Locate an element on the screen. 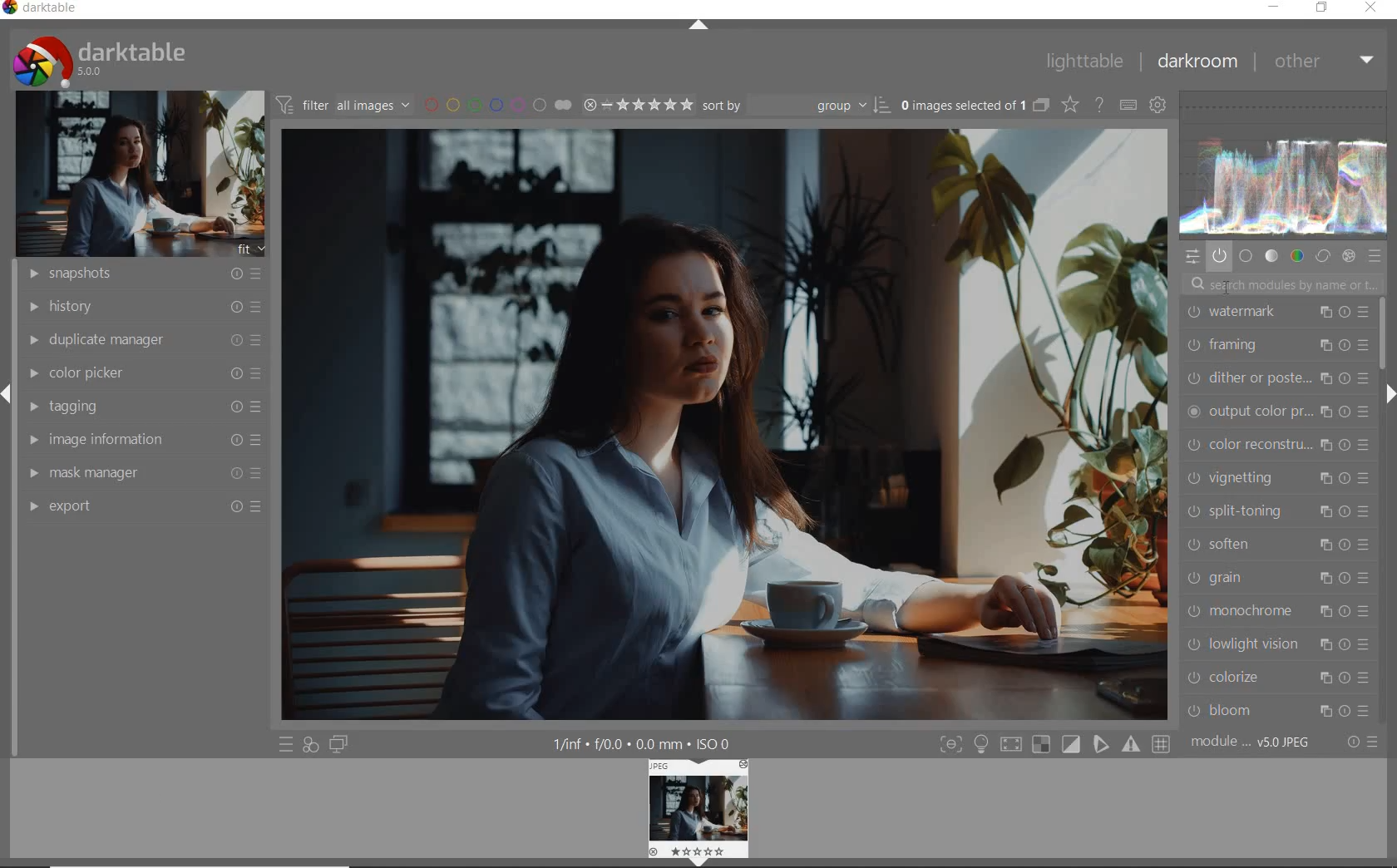 This screenshot has height=868, width=1397. tone is located at coordinates (1271, 255).